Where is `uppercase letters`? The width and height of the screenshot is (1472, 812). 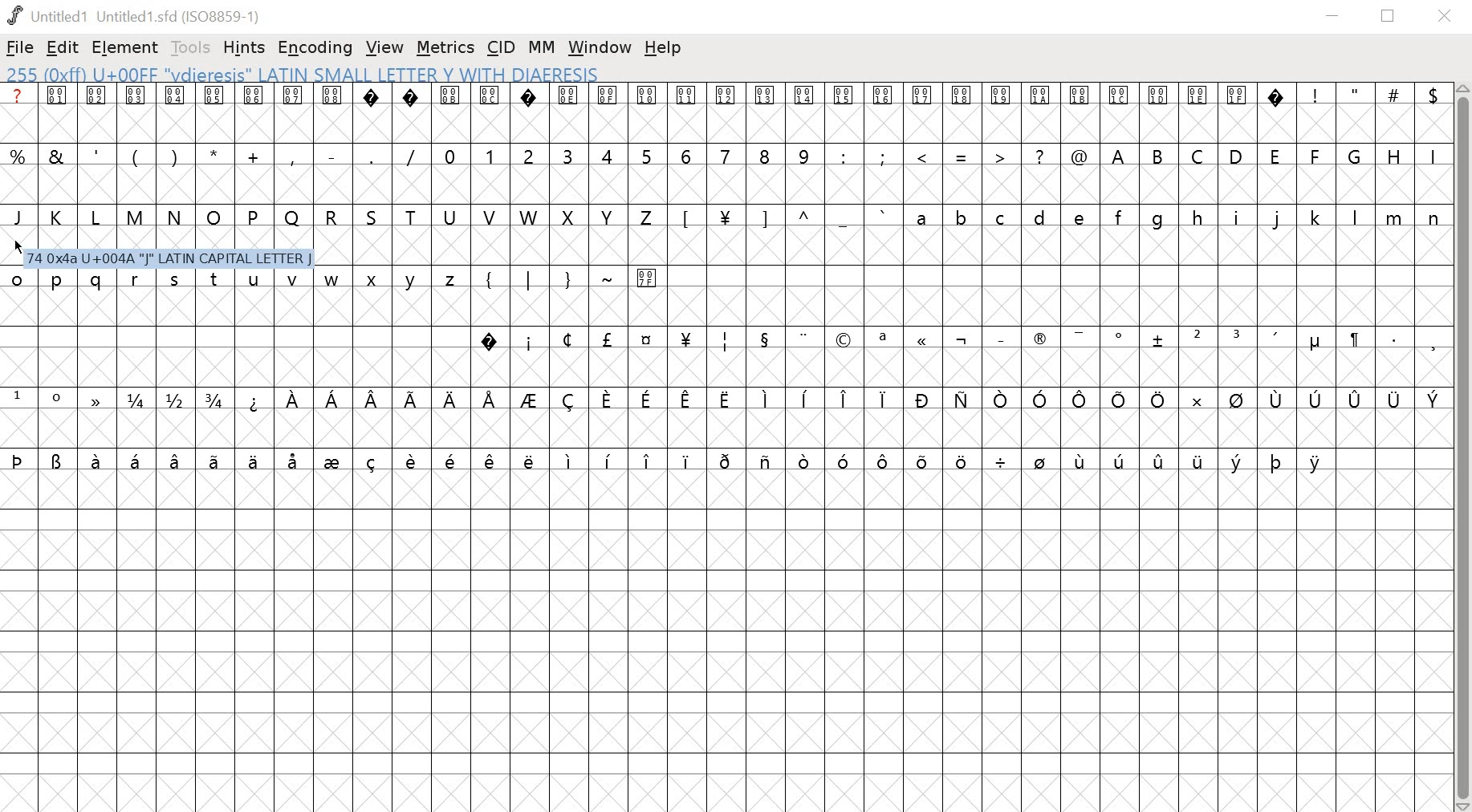 uppercase letters is located at coordinates (328, 217).